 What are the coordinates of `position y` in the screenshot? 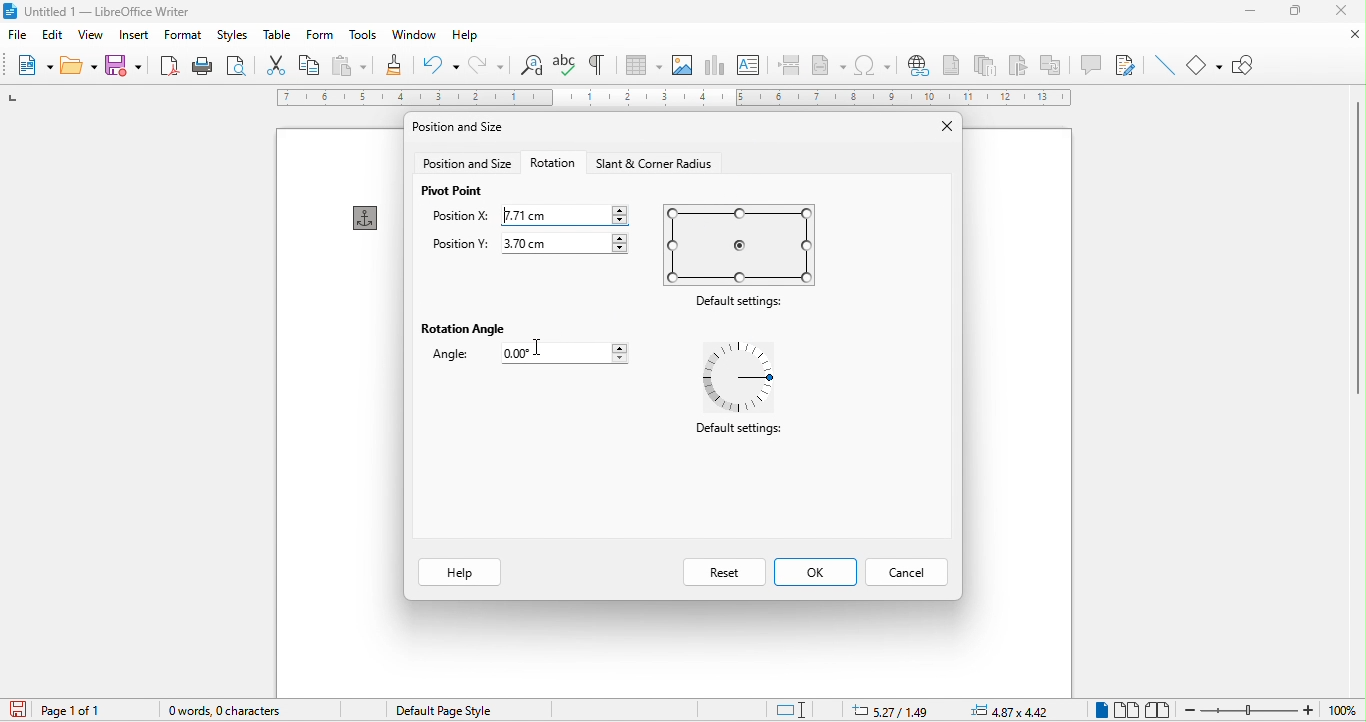 It's located at (462, 244).